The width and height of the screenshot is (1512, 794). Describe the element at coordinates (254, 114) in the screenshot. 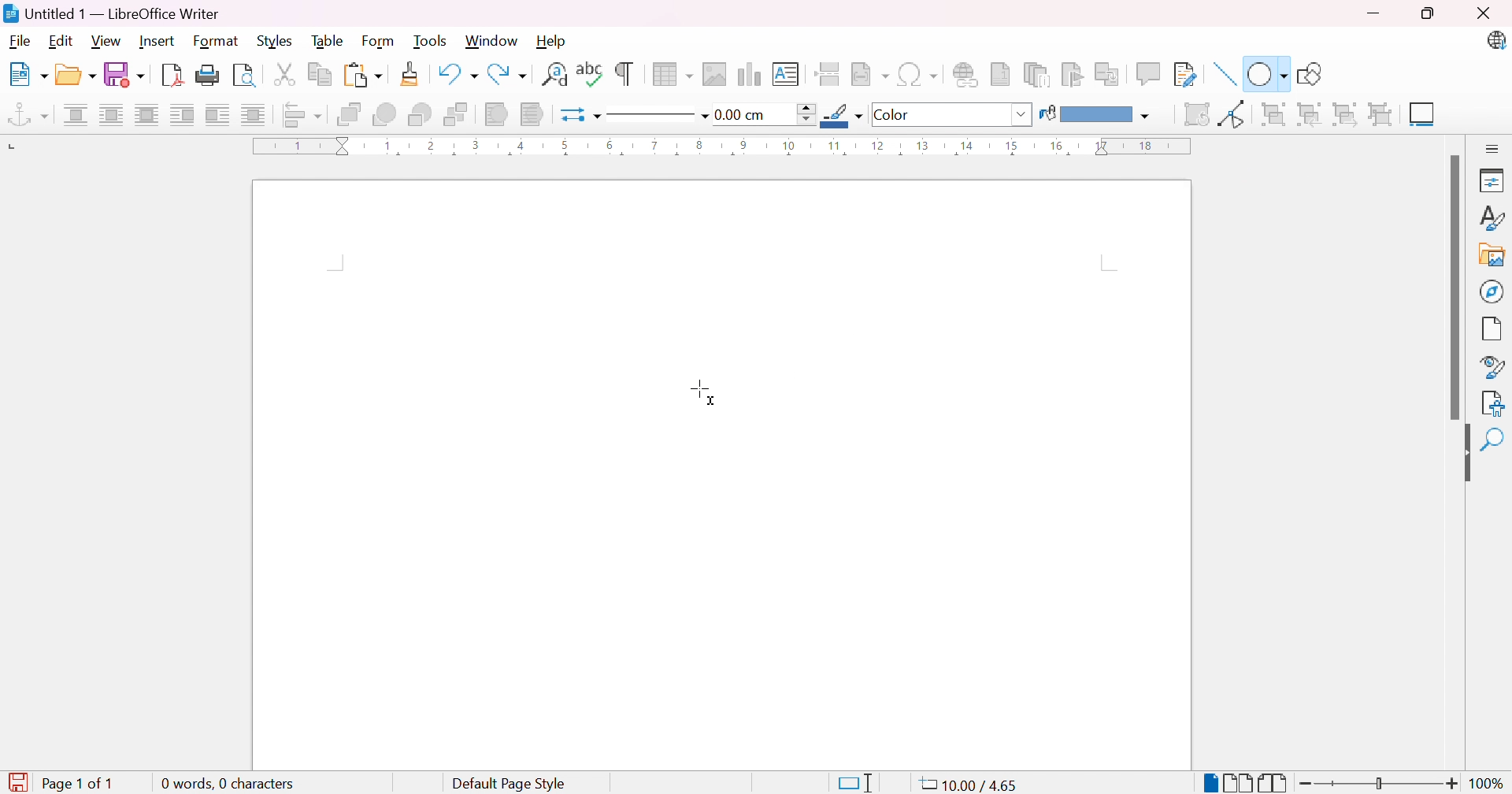

I see `Through` at that location.